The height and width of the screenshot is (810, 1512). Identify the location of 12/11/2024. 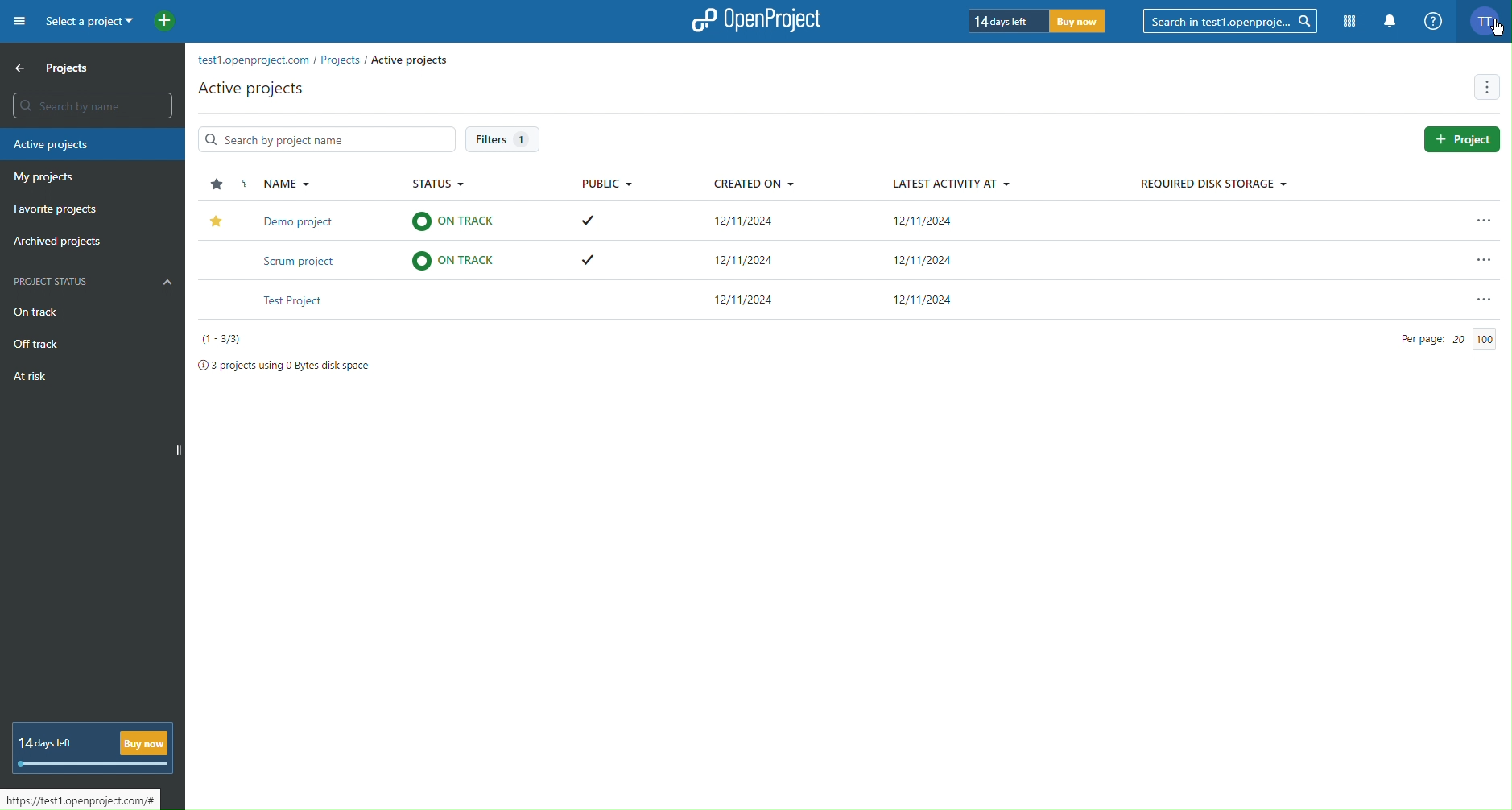
(746, 257).